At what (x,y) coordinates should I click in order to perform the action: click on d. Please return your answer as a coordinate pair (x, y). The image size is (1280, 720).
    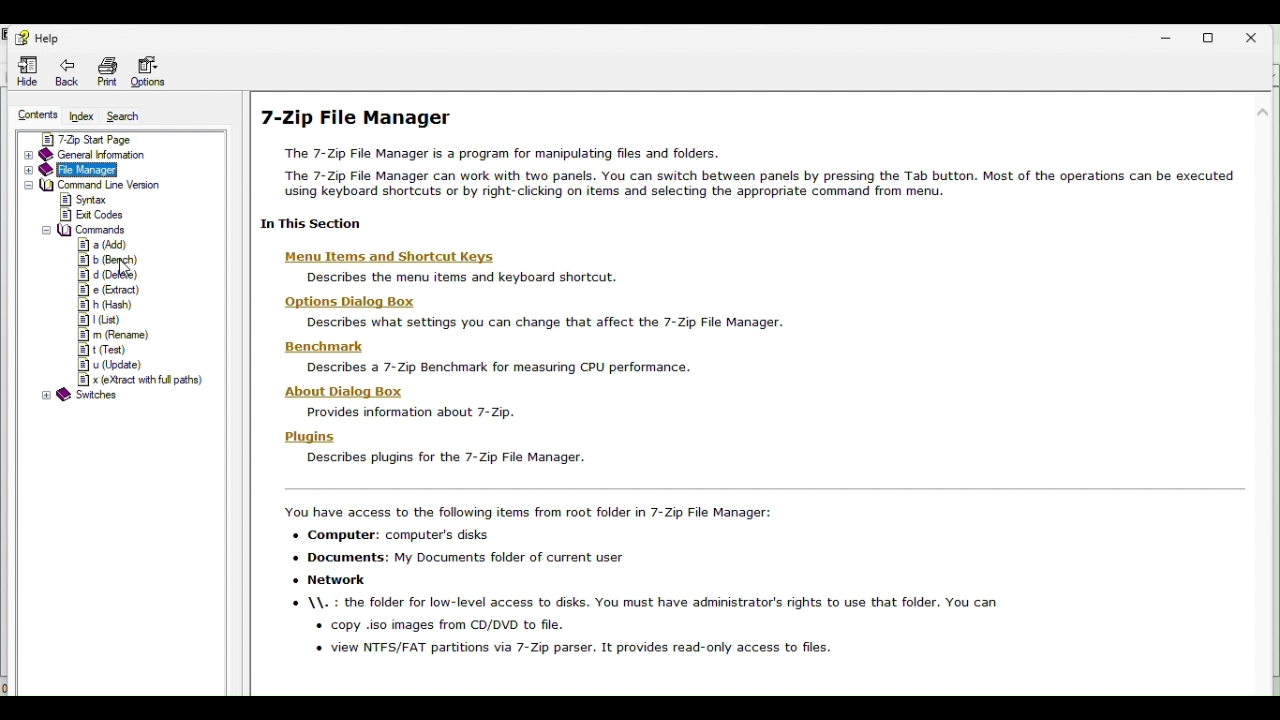
    Looking at the image, I should click on (107, 276).